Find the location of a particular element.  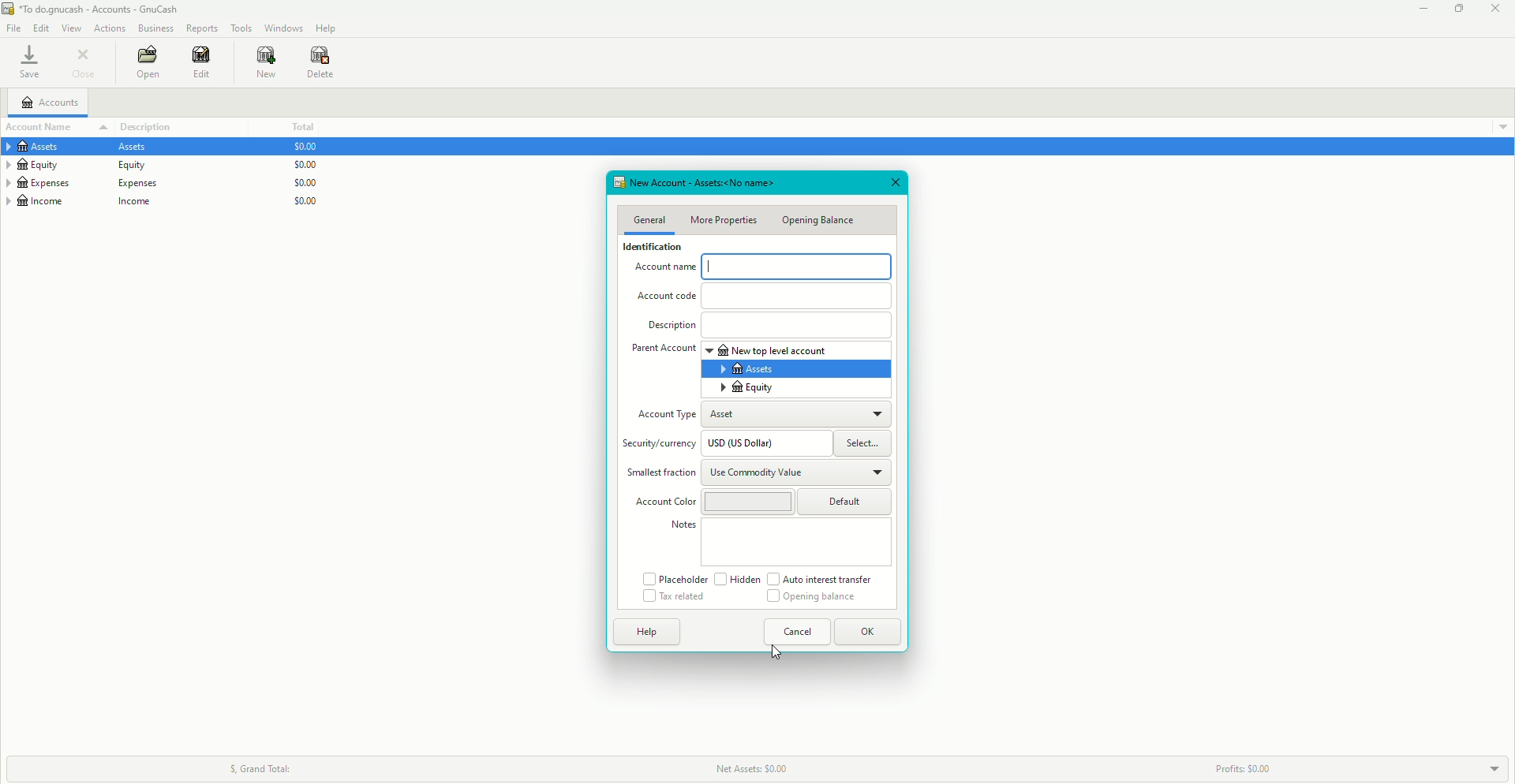

Edit is located at coordinates (41, 28).